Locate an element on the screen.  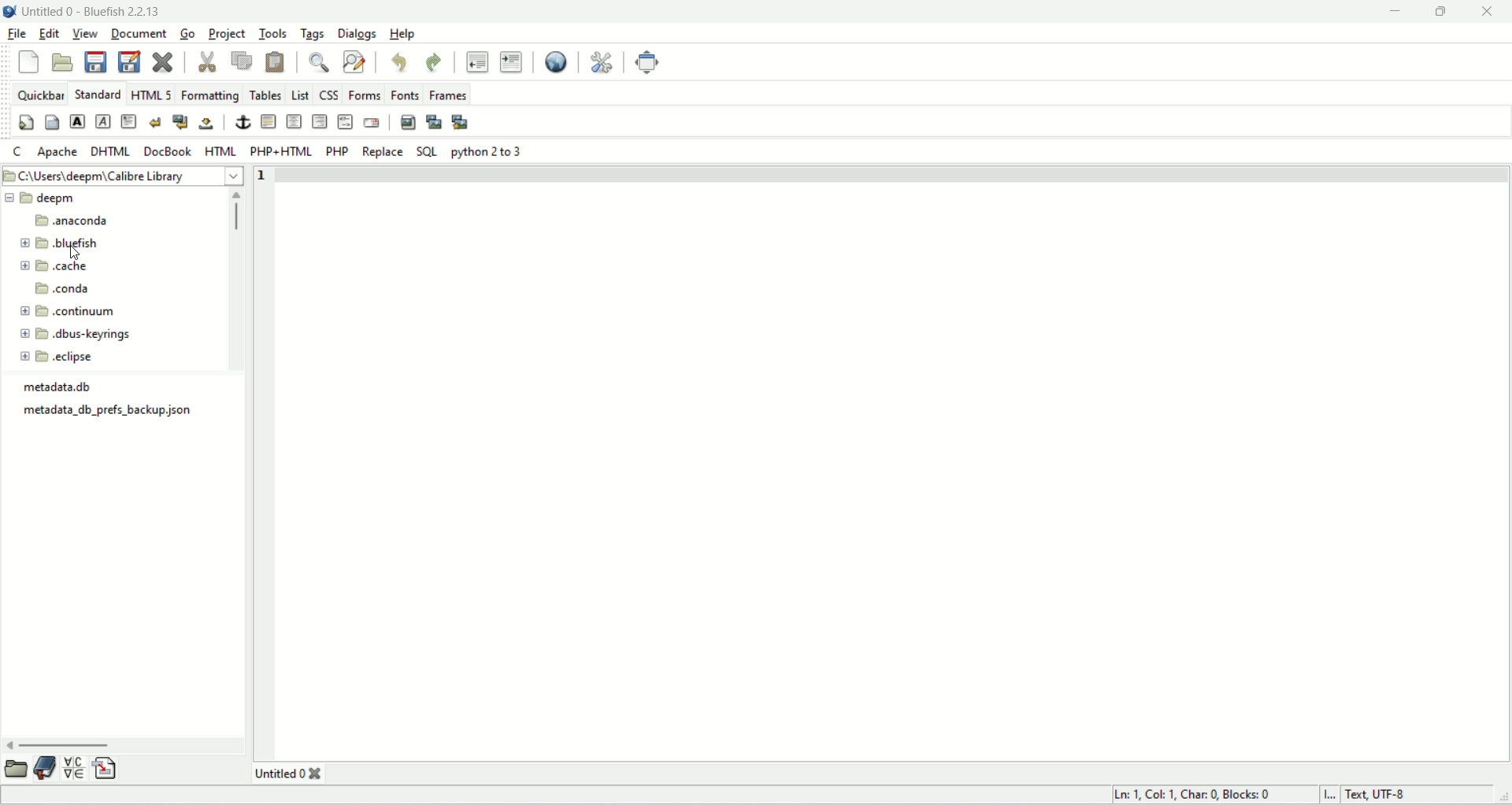
ln, col, char, blocks is located at coordinates (1193, 796).